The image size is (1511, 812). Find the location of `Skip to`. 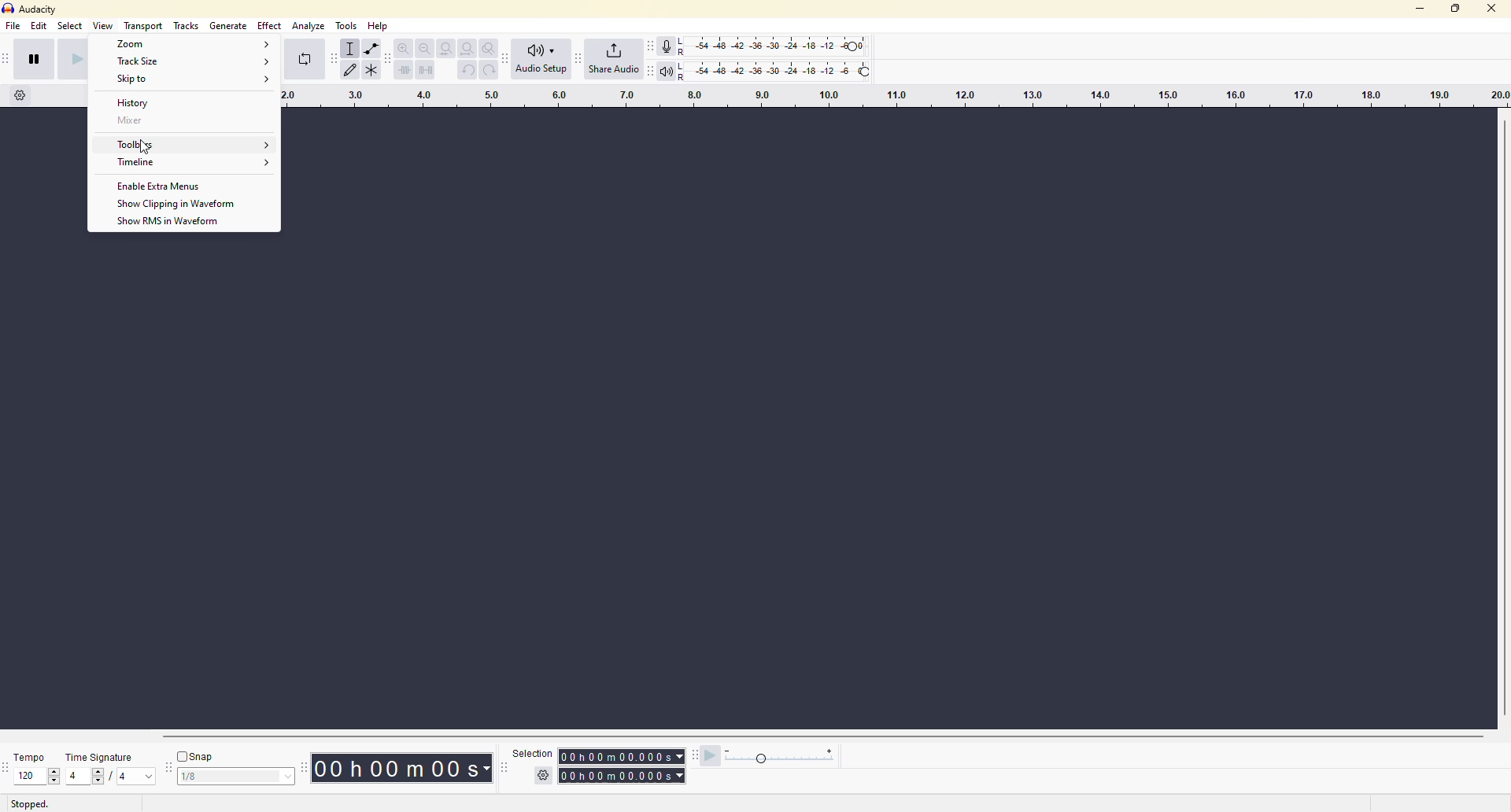

Skip to is located at coordinates (193, 80).